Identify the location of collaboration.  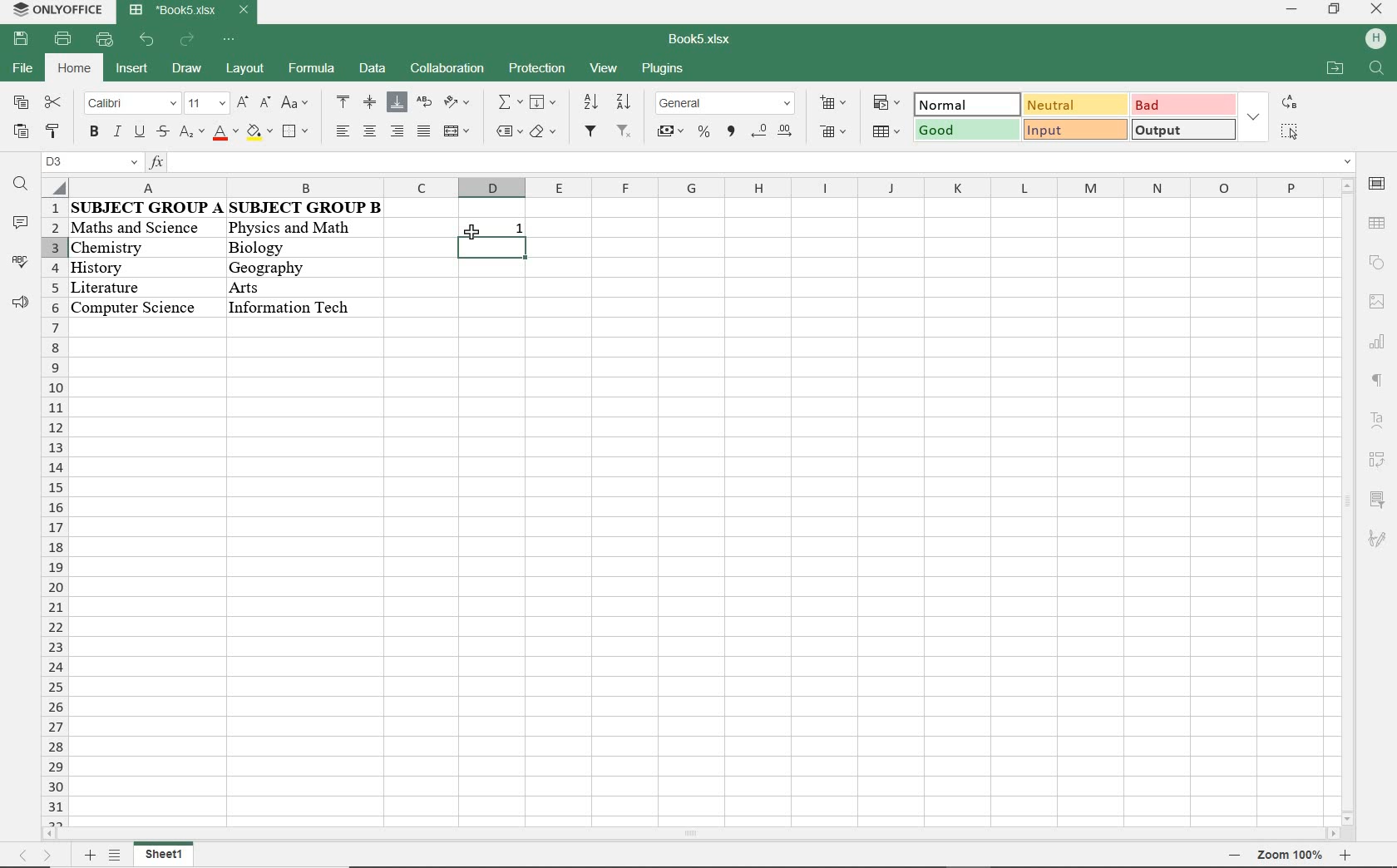
(446, 70).